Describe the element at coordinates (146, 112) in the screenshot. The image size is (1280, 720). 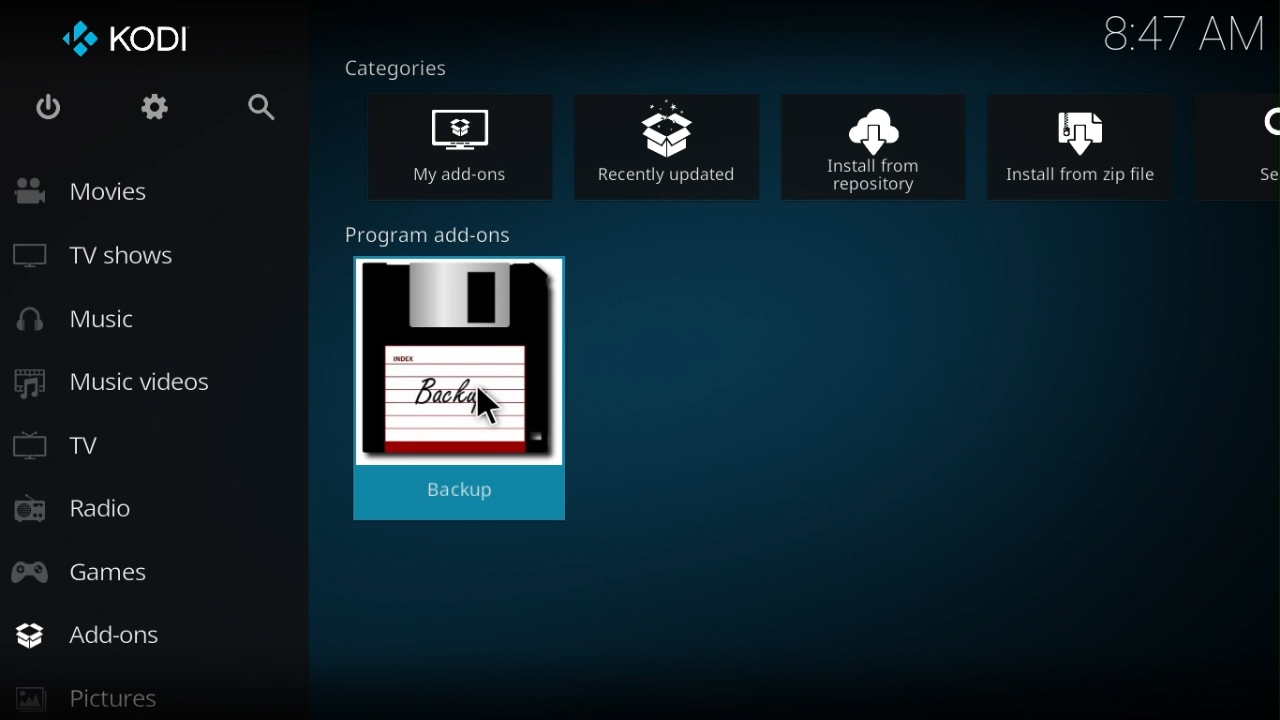
I see `Settings` at that location.